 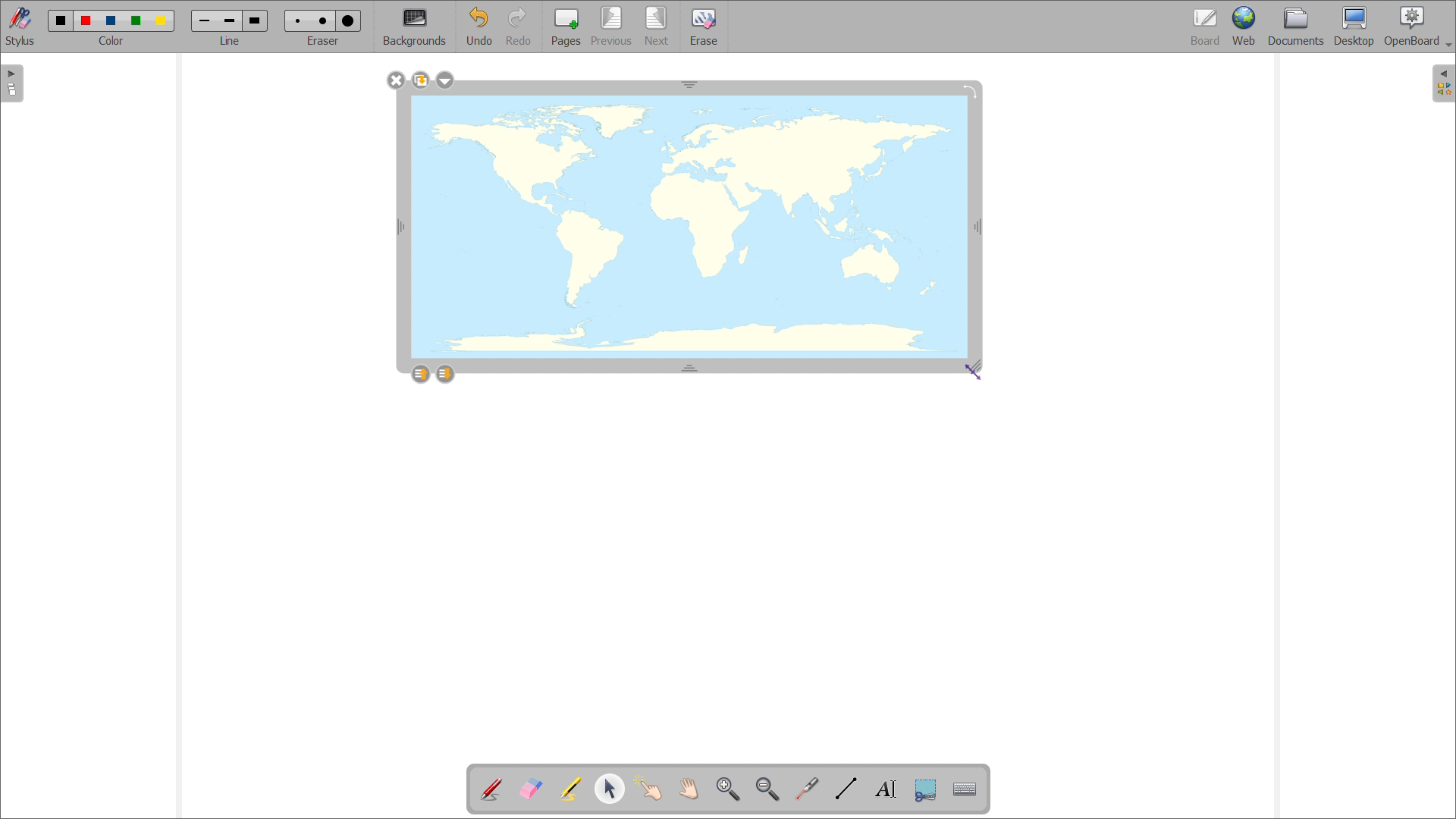 I want to click on small, so click(x=203, y=22).